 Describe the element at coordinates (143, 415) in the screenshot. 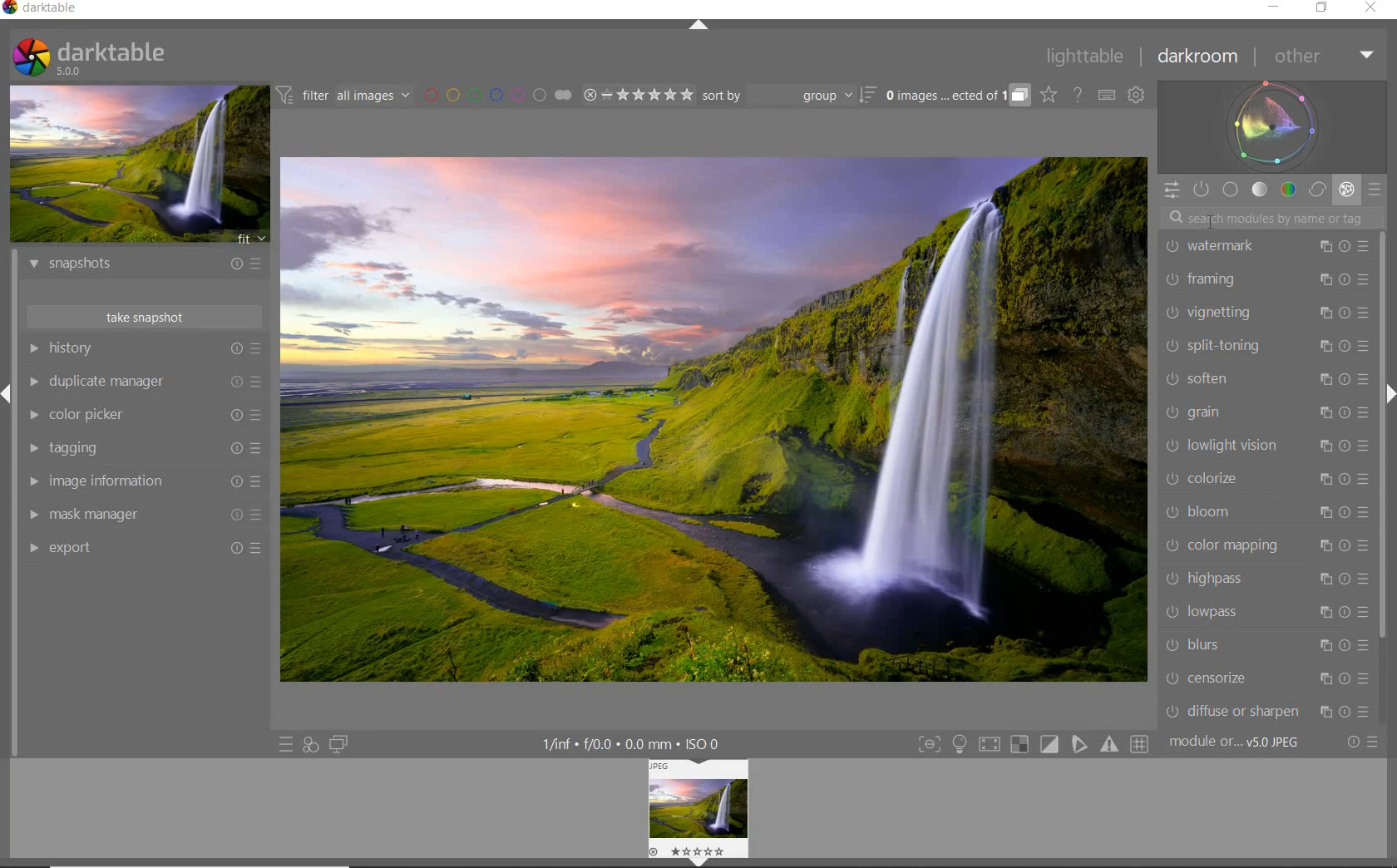

I see `color picker` at that location.